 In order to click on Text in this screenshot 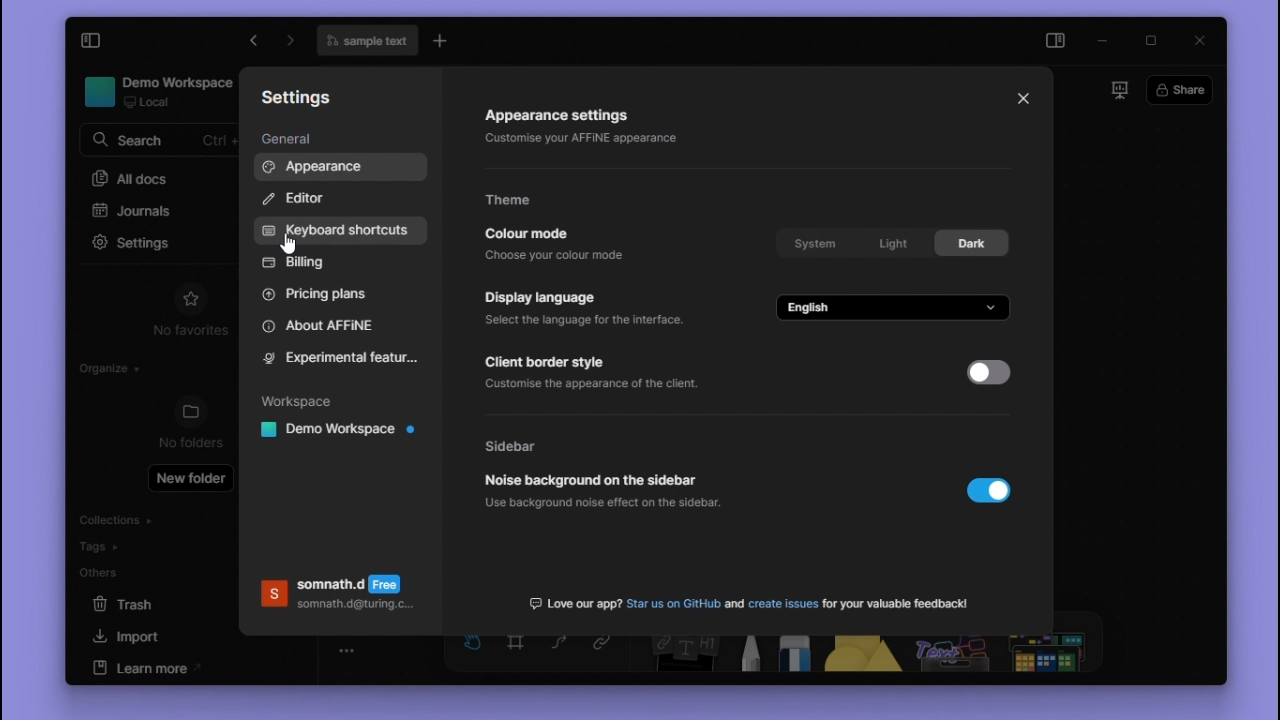, I will do `click(755, 604)`.